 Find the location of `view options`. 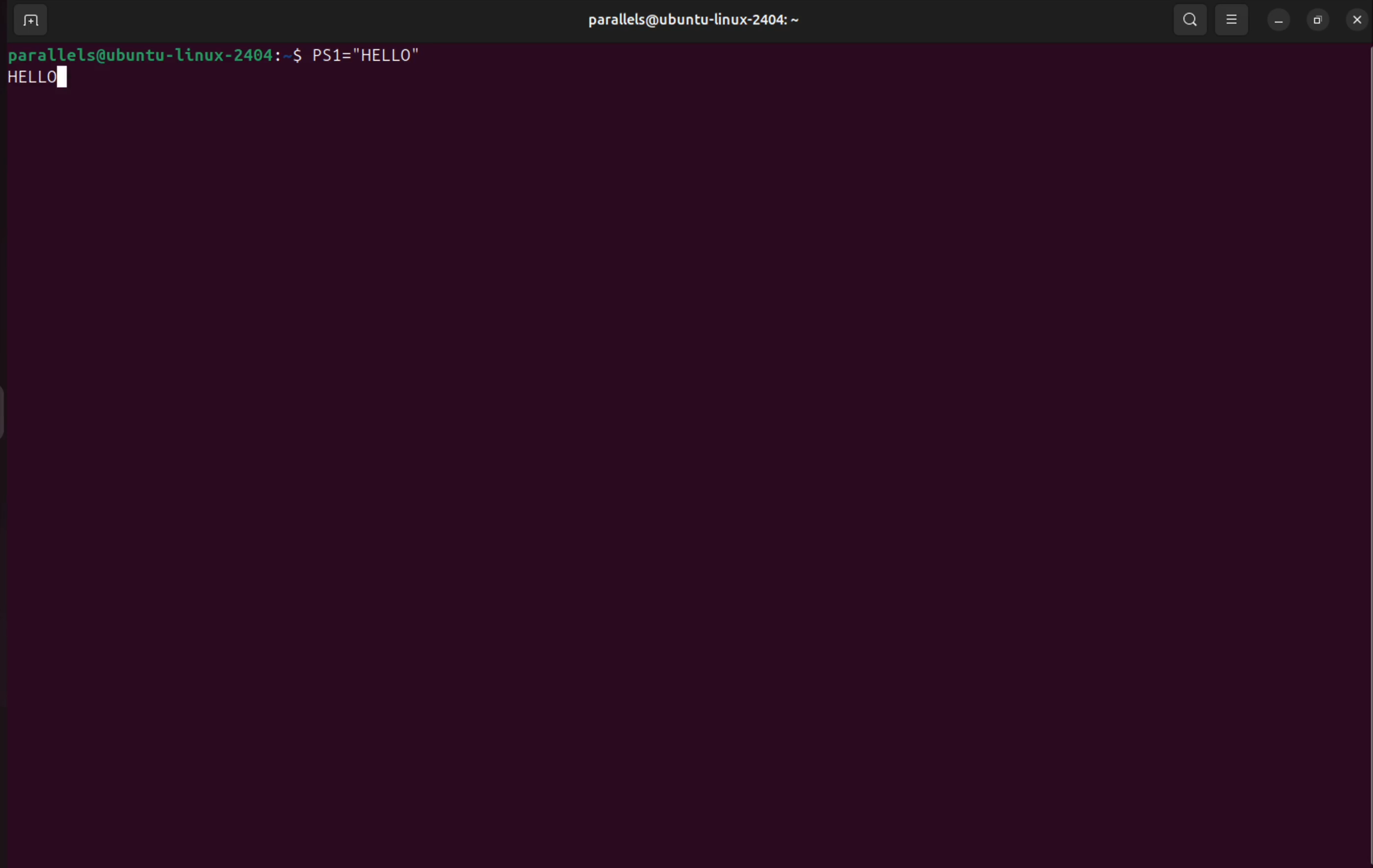

view options is located at coordinates (1233, 19).